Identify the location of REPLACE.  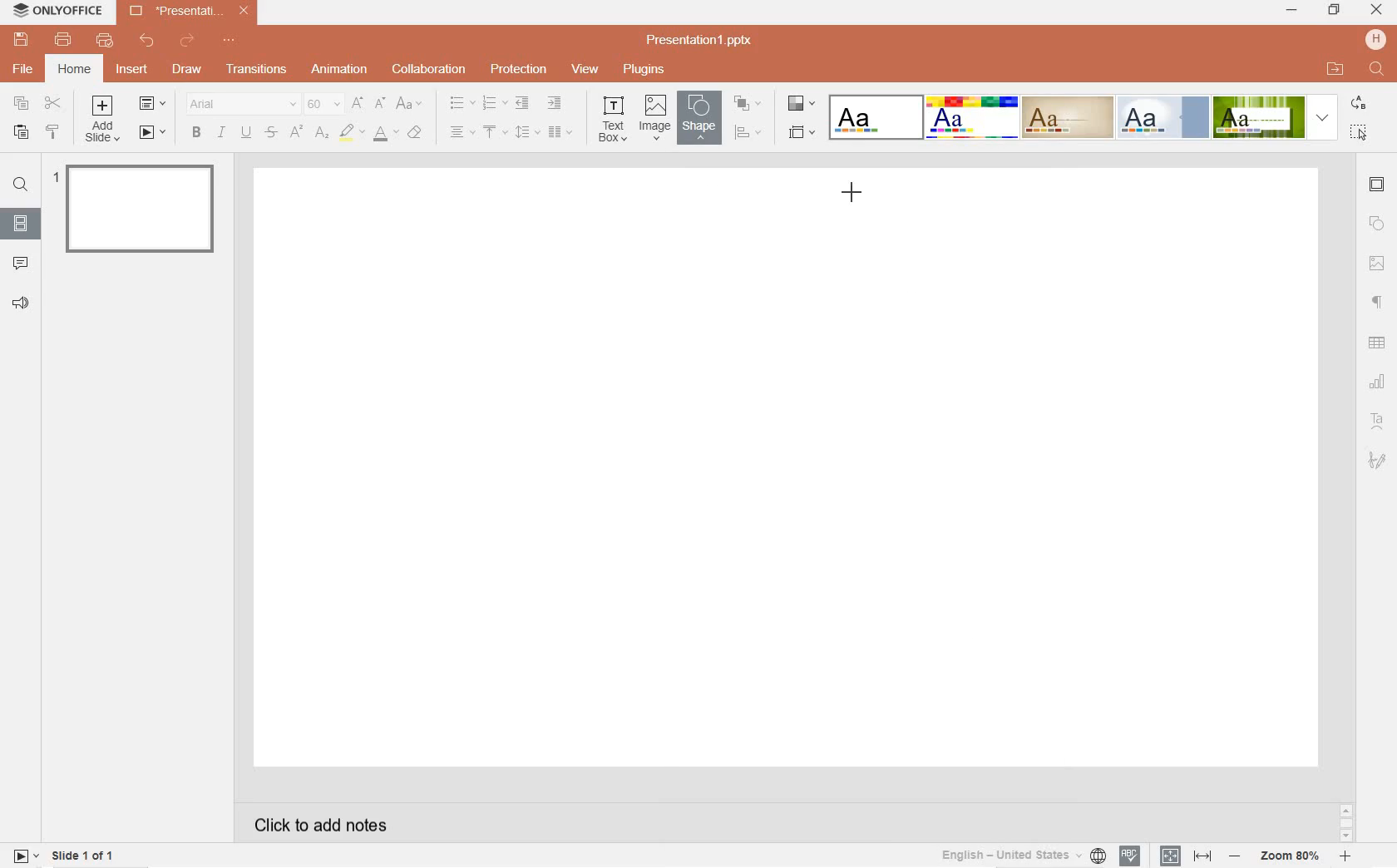
(1358, 104).